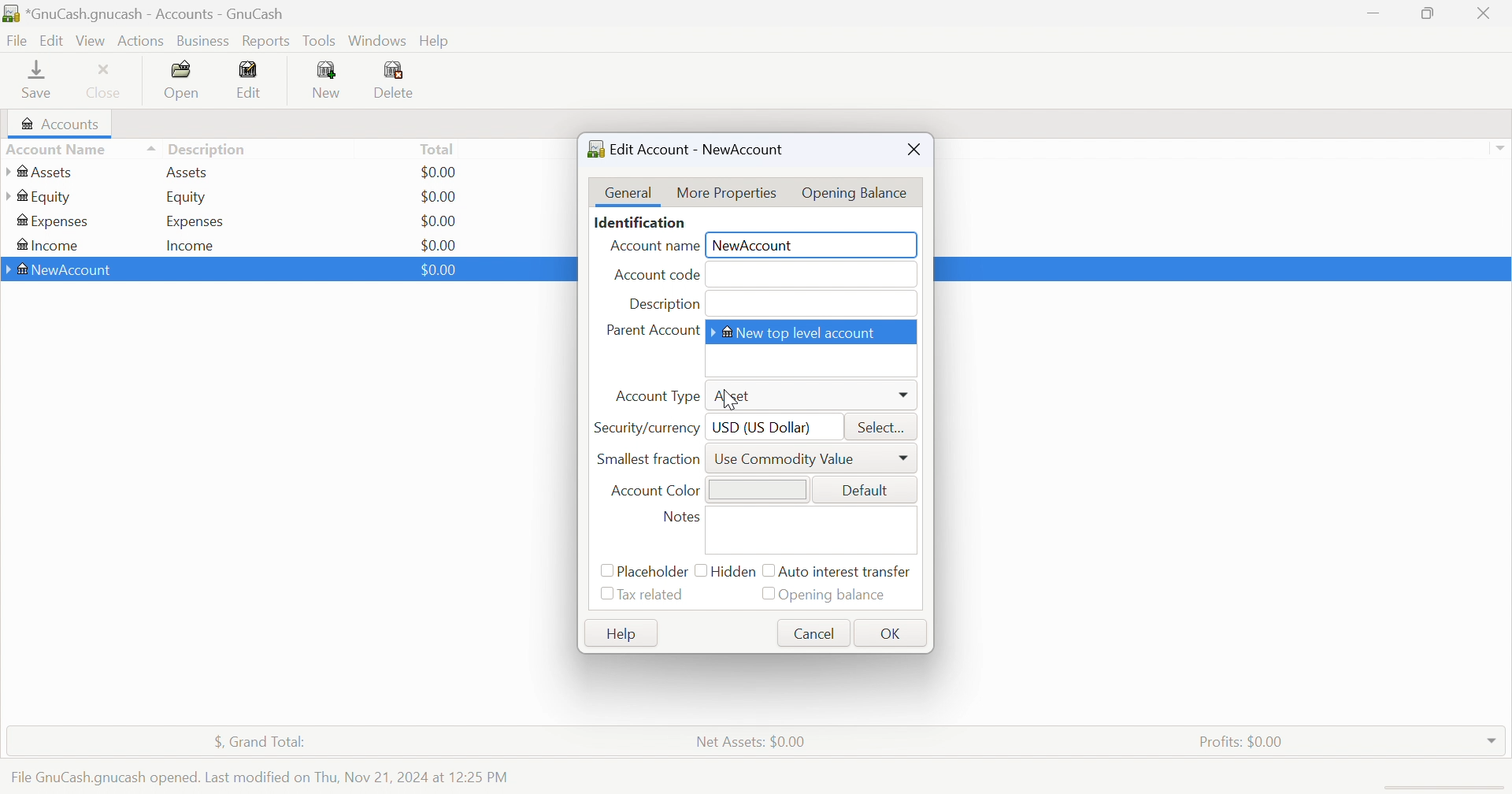 Image resolution: width=1512 pixels, height=794 pixels. Describe the element at coordinates (440, 172) in the screenshot. I see `$0.00` at that location.